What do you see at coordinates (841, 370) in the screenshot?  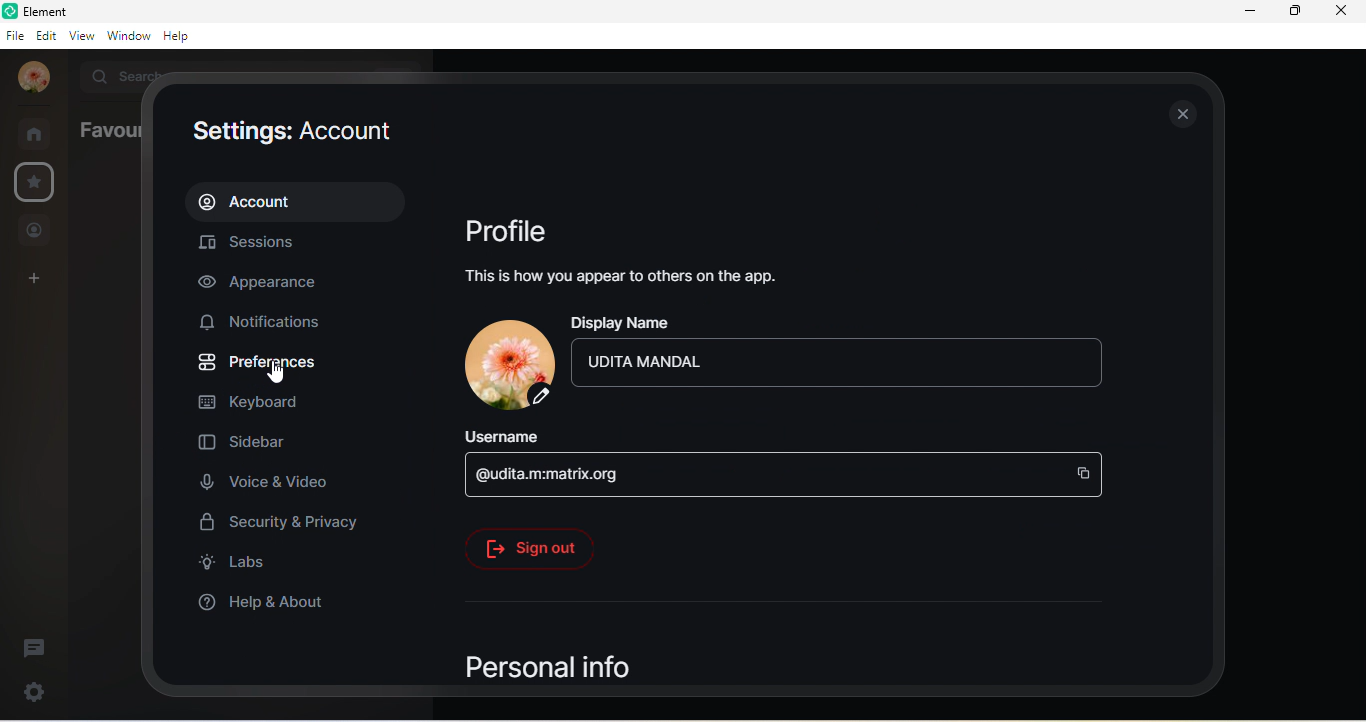 I see `udita mandal` at bounding box center [841, 370].